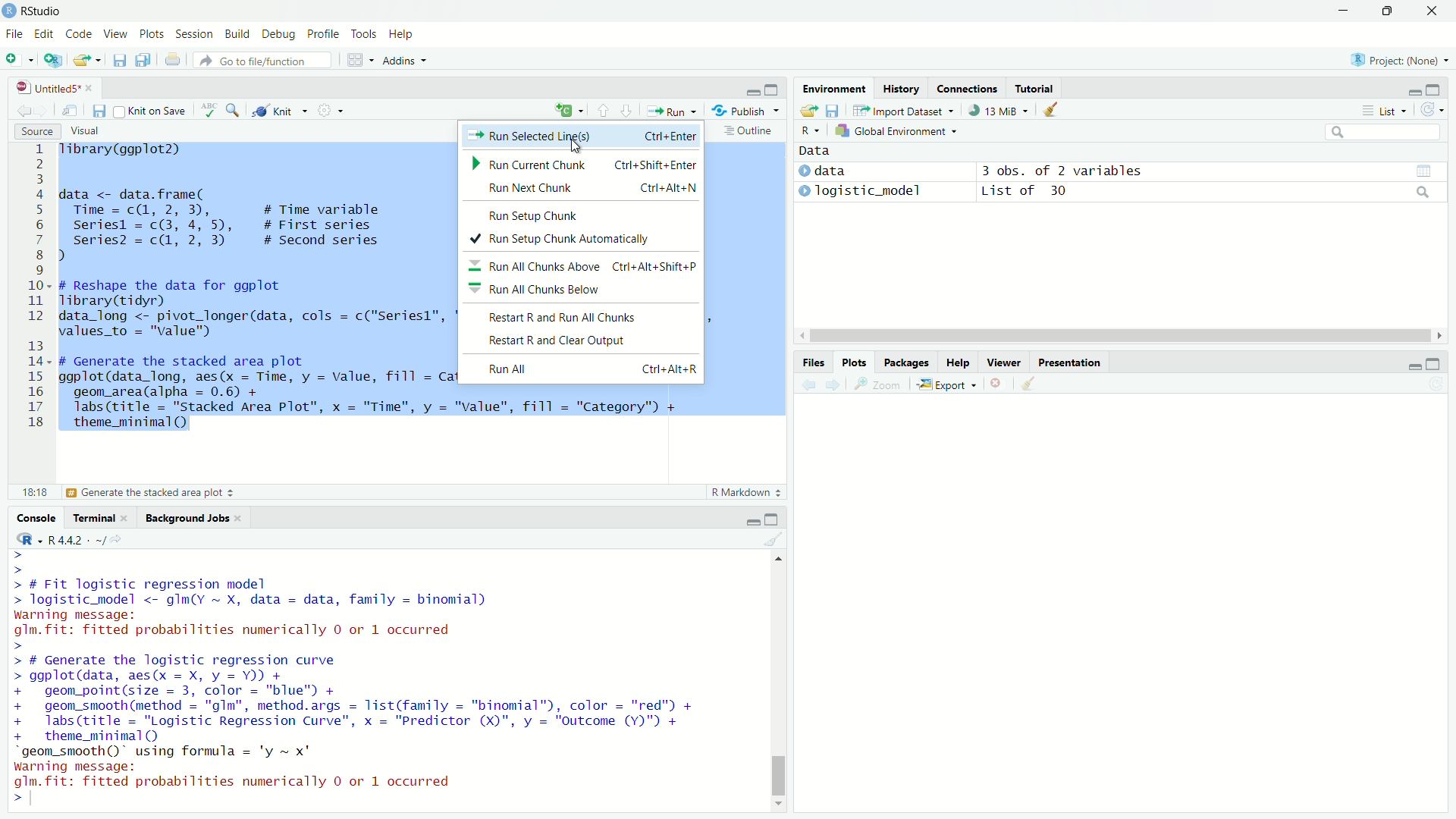 Image resolution: width=1456 pixels, height=819 pixels. I want to click on grid, so click(356, 63).